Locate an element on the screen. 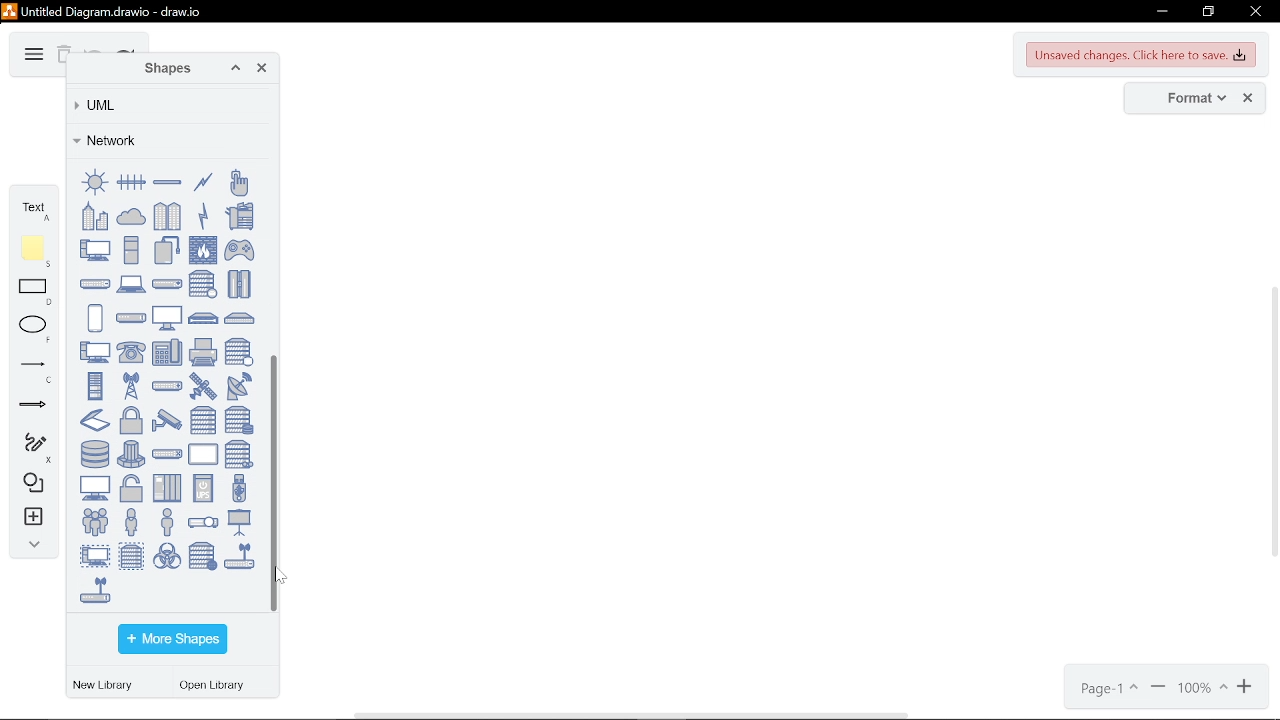  virtual server is located at coordinates (131, 555).